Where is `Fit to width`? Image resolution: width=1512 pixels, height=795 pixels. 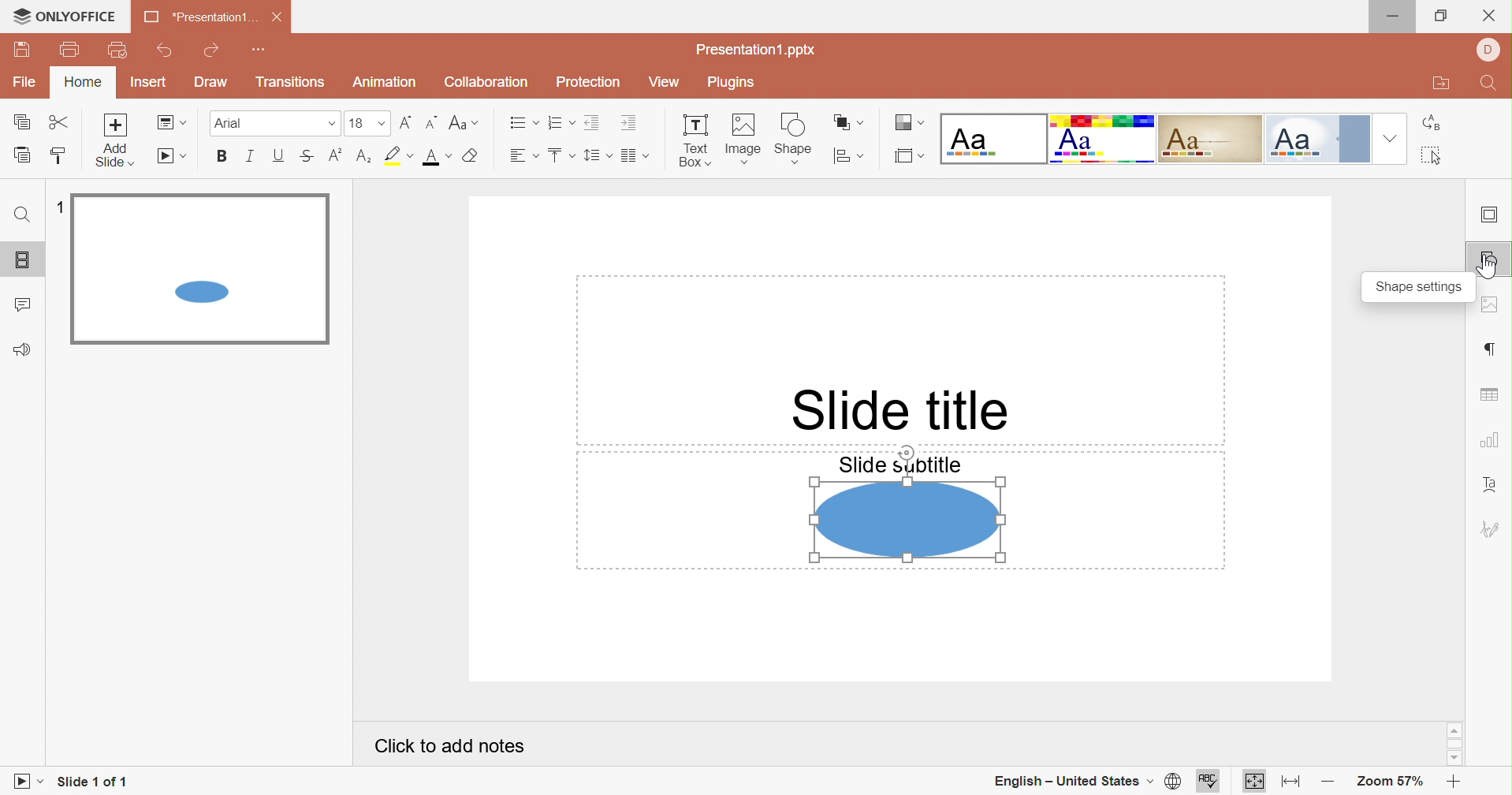
Fit to width is located at coordinates (1293, 784).